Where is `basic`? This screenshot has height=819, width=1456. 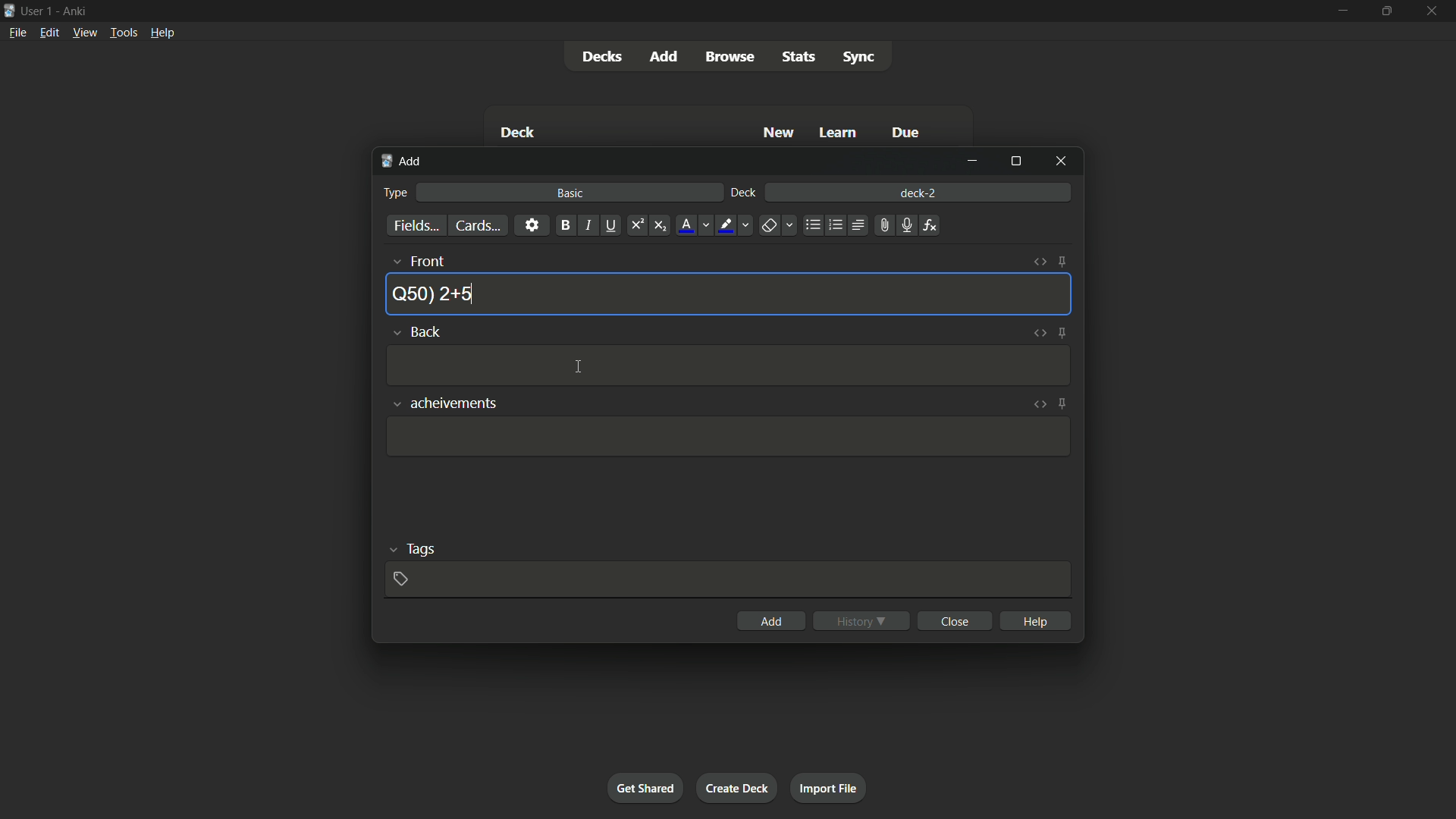
basic is located at coordinates (572, 193).